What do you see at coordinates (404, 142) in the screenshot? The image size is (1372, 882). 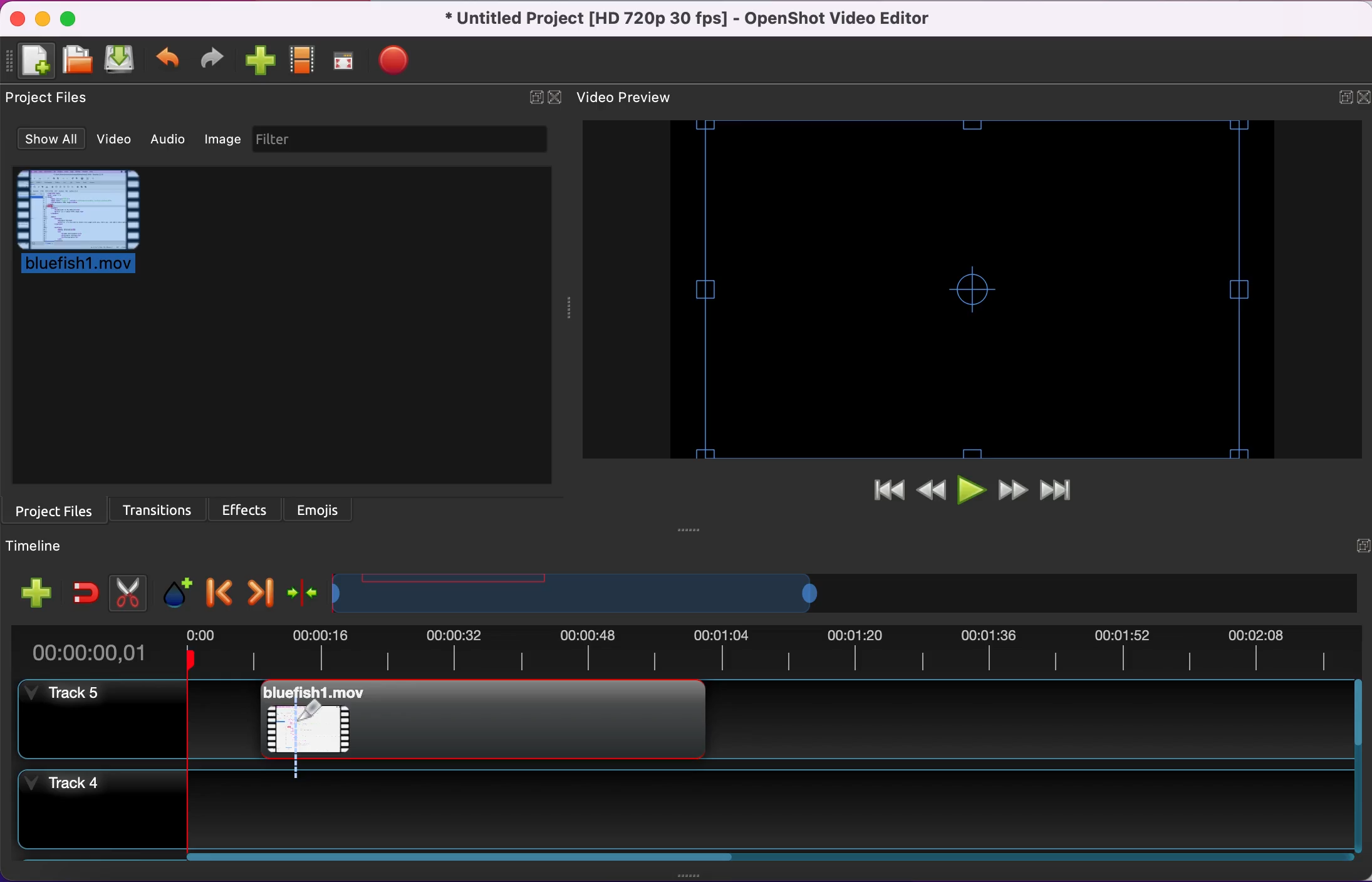 I see `filter` at bounding box center [404, 142].